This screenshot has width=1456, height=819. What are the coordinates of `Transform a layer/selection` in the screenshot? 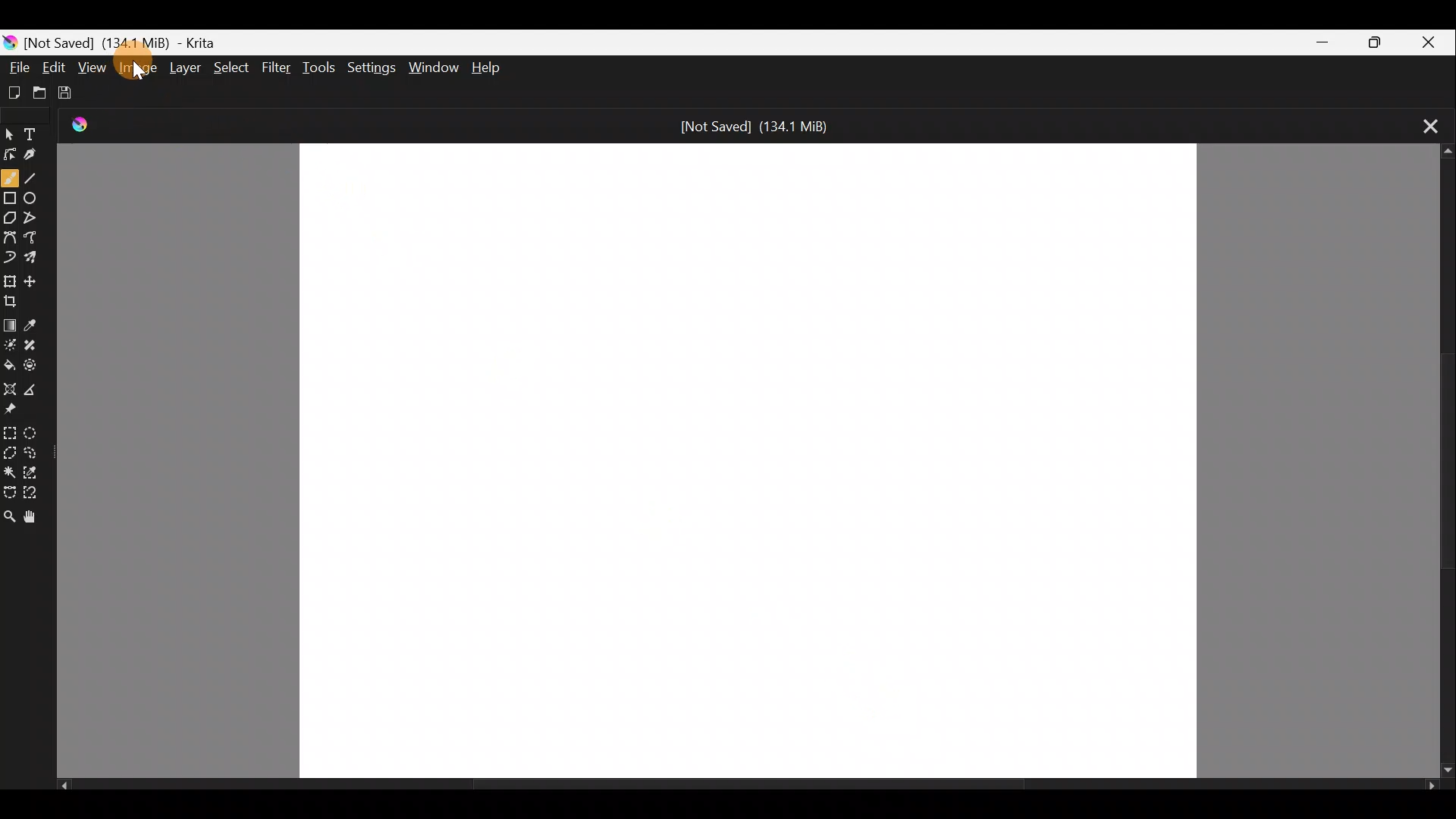 It's located at (10, 281).